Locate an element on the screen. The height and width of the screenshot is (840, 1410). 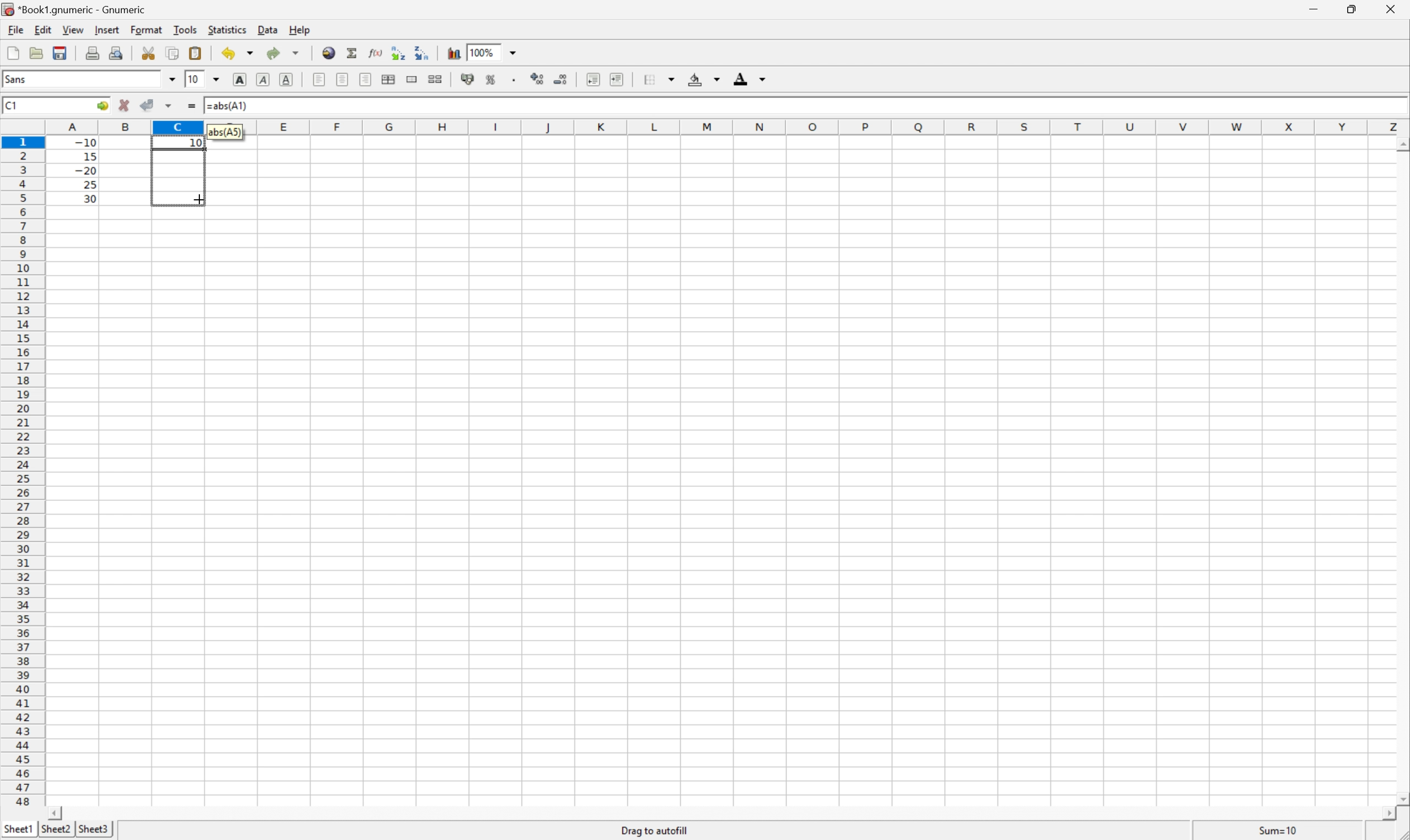
Restore down is located at coordinates (1349, 10).